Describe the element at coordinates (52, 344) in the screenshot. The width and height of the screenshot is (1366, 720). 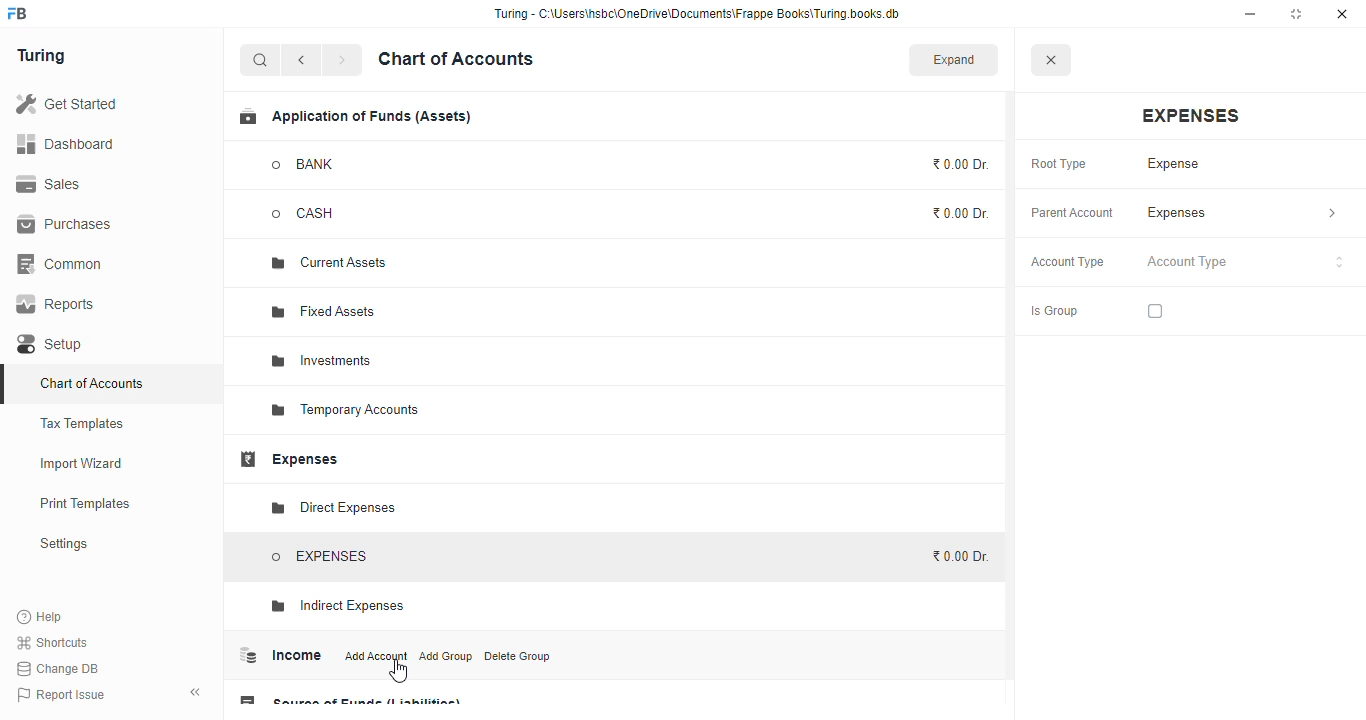
I see `setup` at that location.